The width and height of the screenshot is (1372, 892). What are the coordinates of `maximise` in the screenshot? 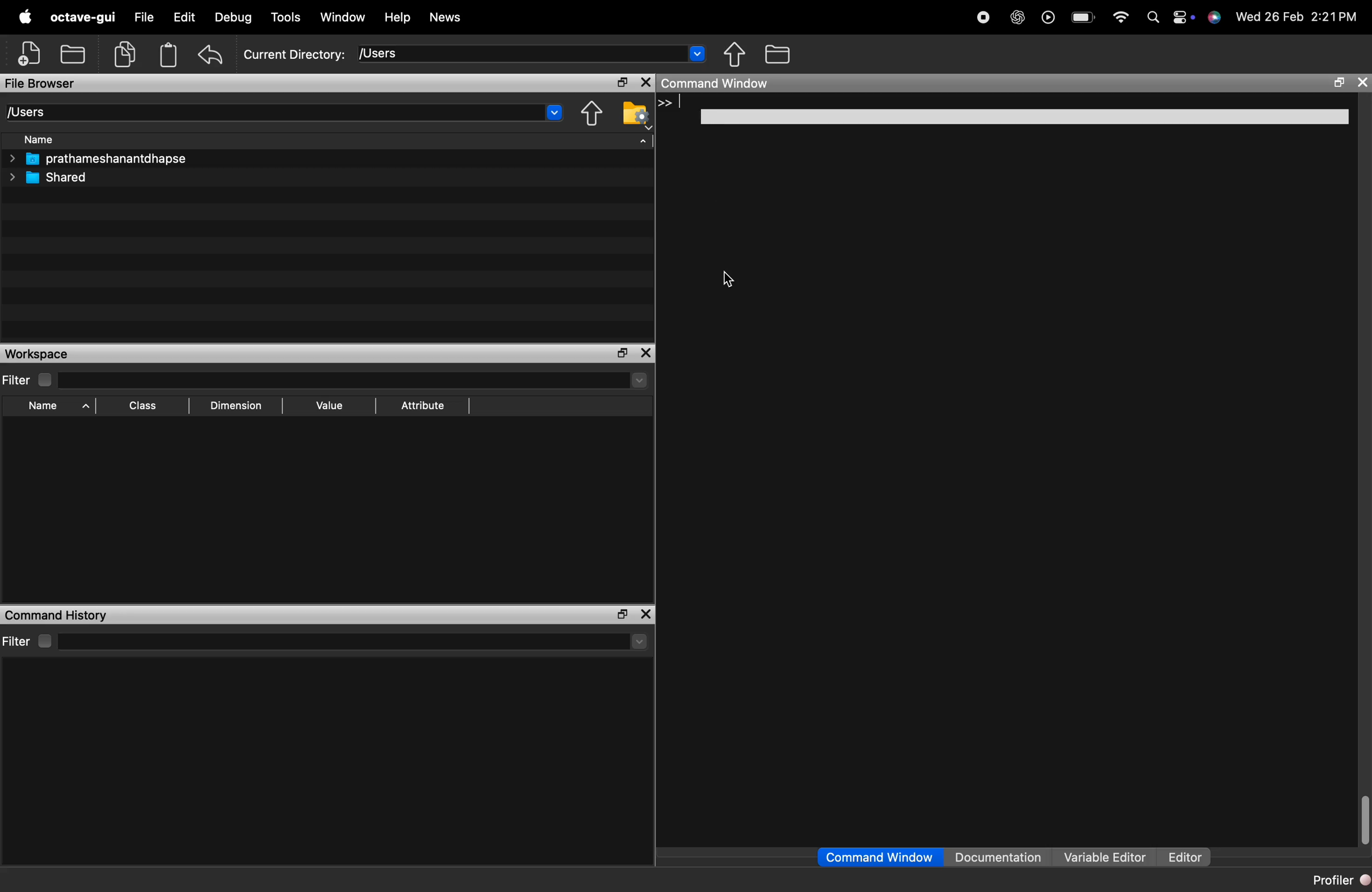 It's located at (620, 611).